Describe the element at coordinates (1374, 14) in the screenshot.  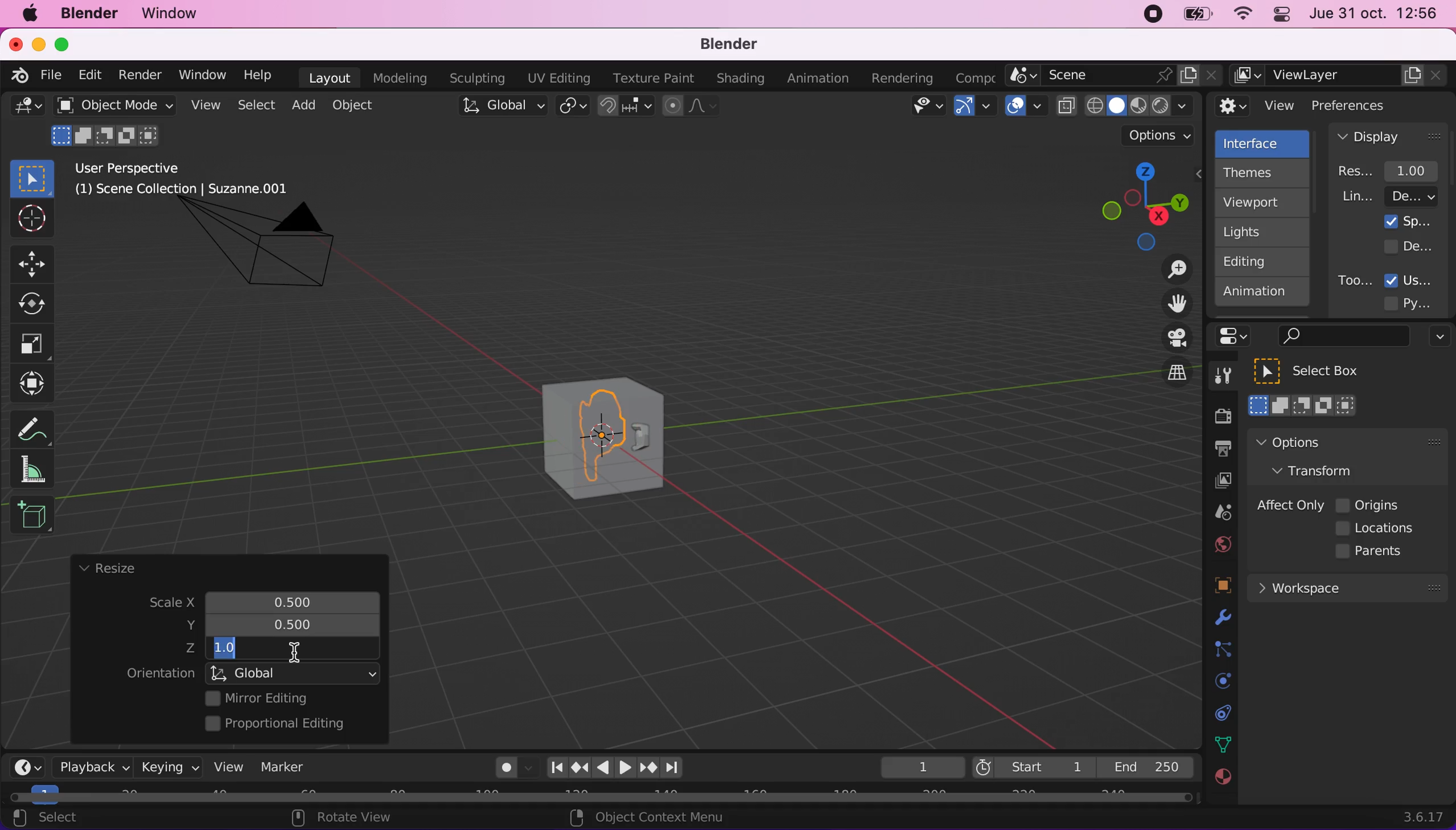
I see `jue 31 oct. 12:56` at that location.